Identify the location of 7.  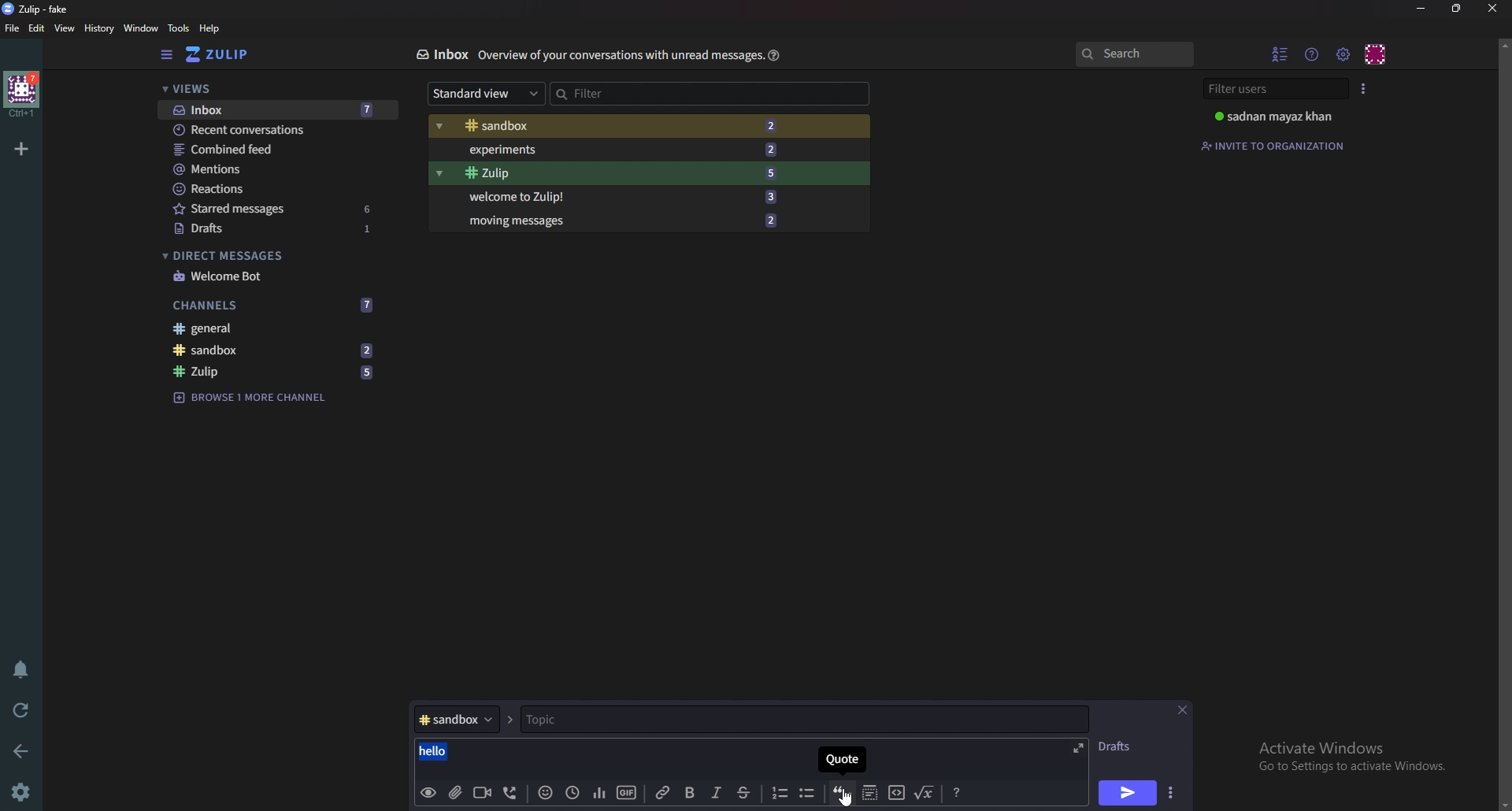
(376, 109).